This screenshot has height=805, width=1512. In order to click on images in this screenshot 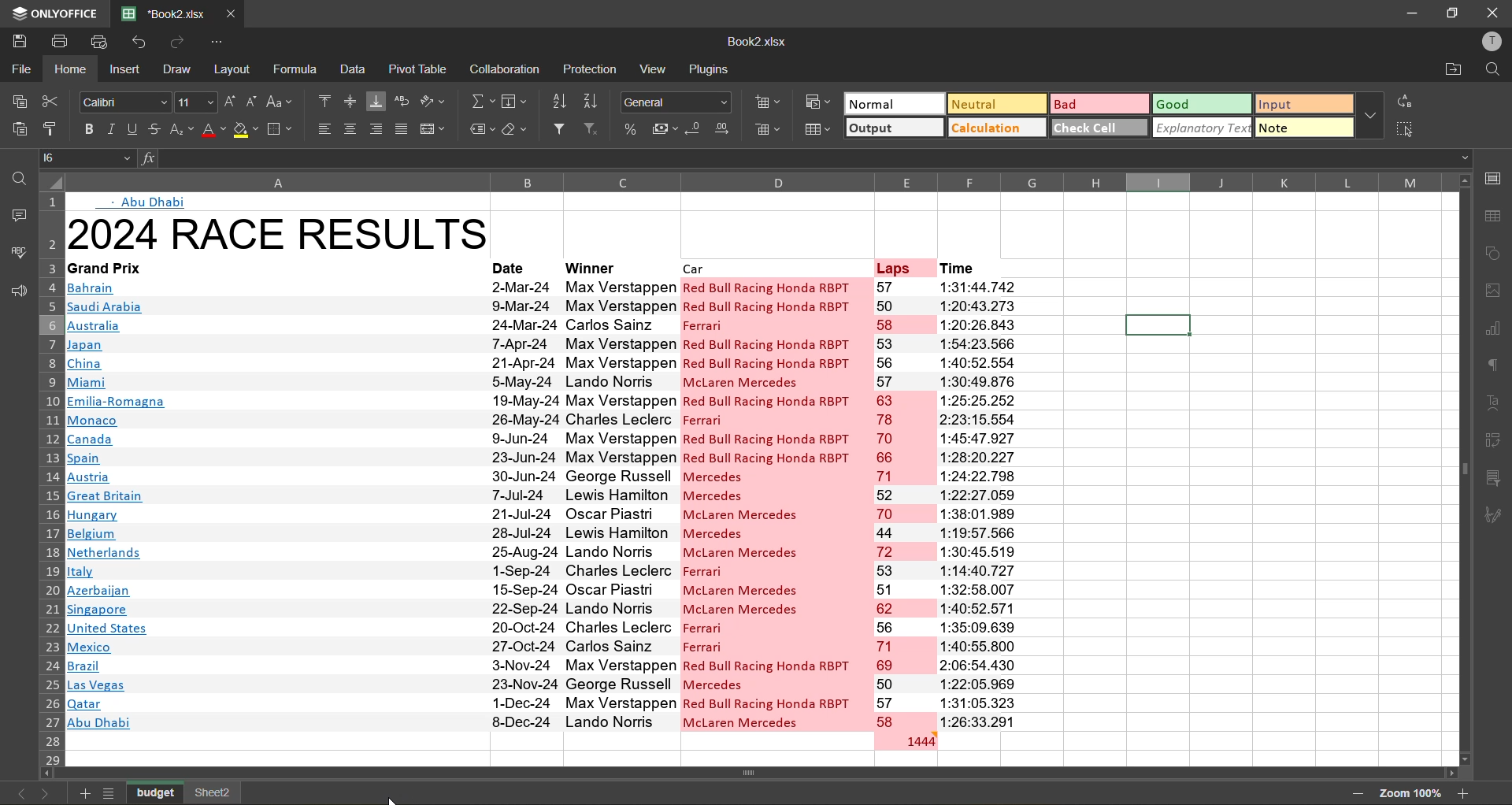, I will do `click(1492, 291)`.